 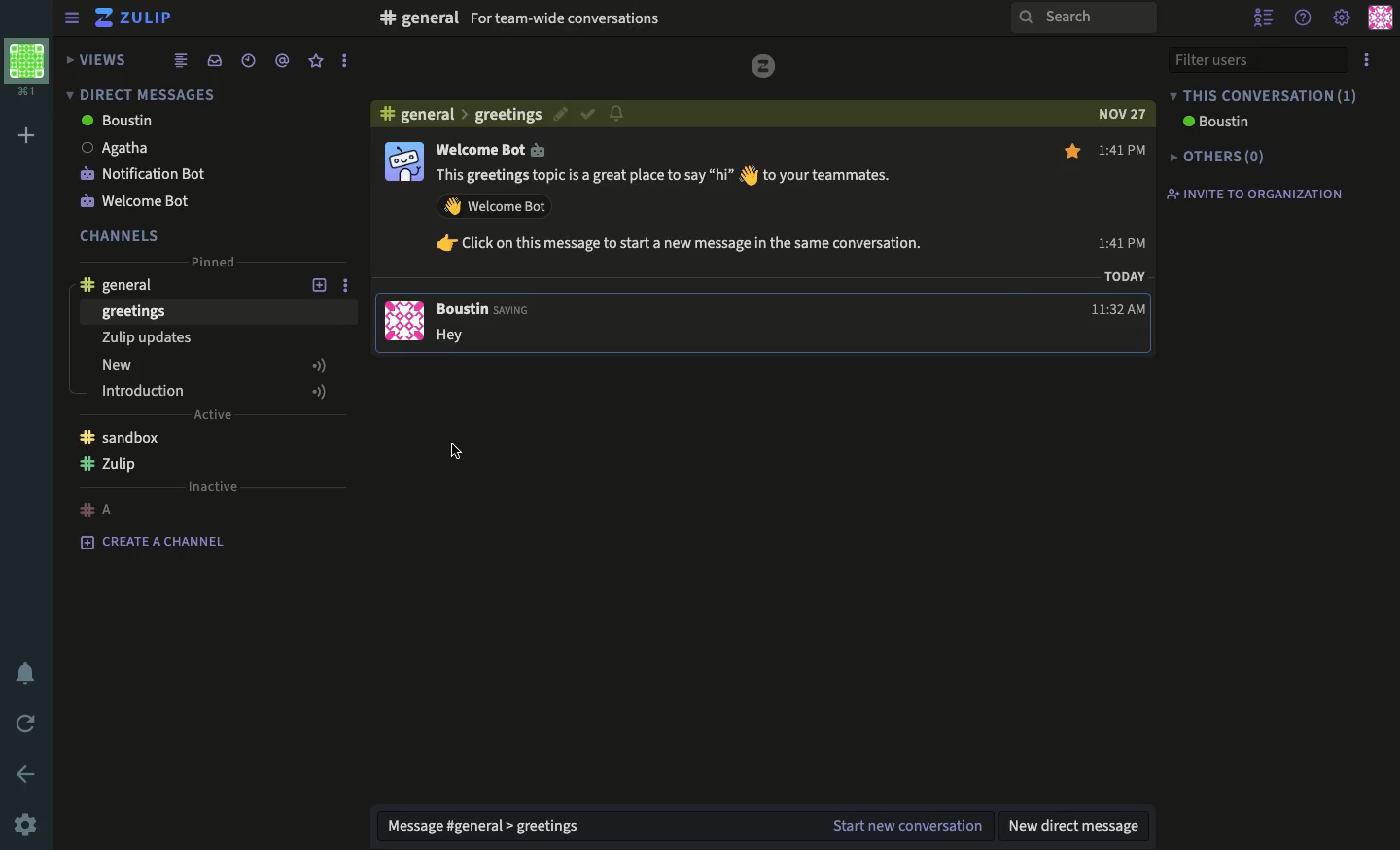 What do you see at coordinates (352, 284) in the screenshot?
I see `options` at bounding box center [352, 284].